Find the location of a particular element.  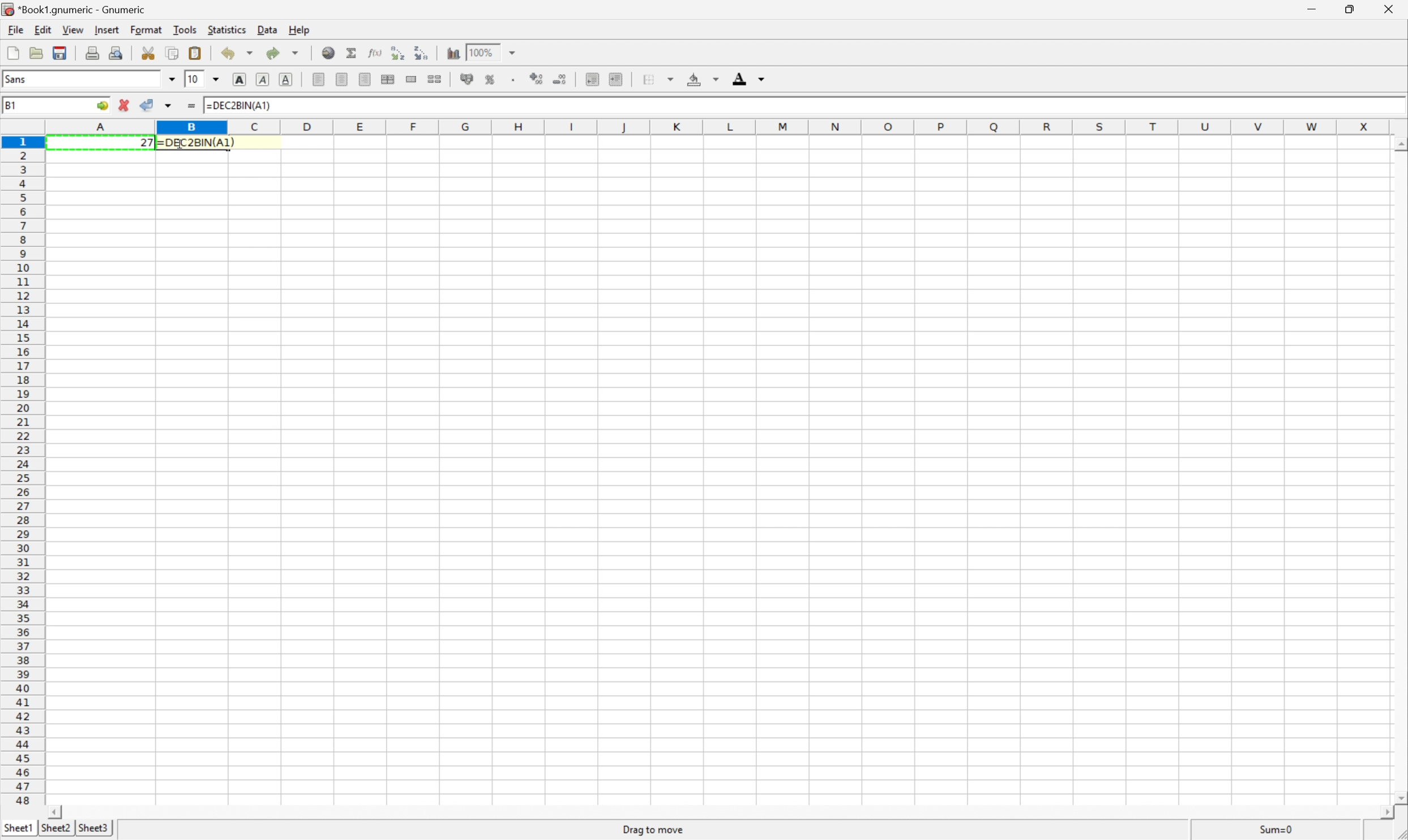

Sum in current cell is located at coordinates (354, 54).